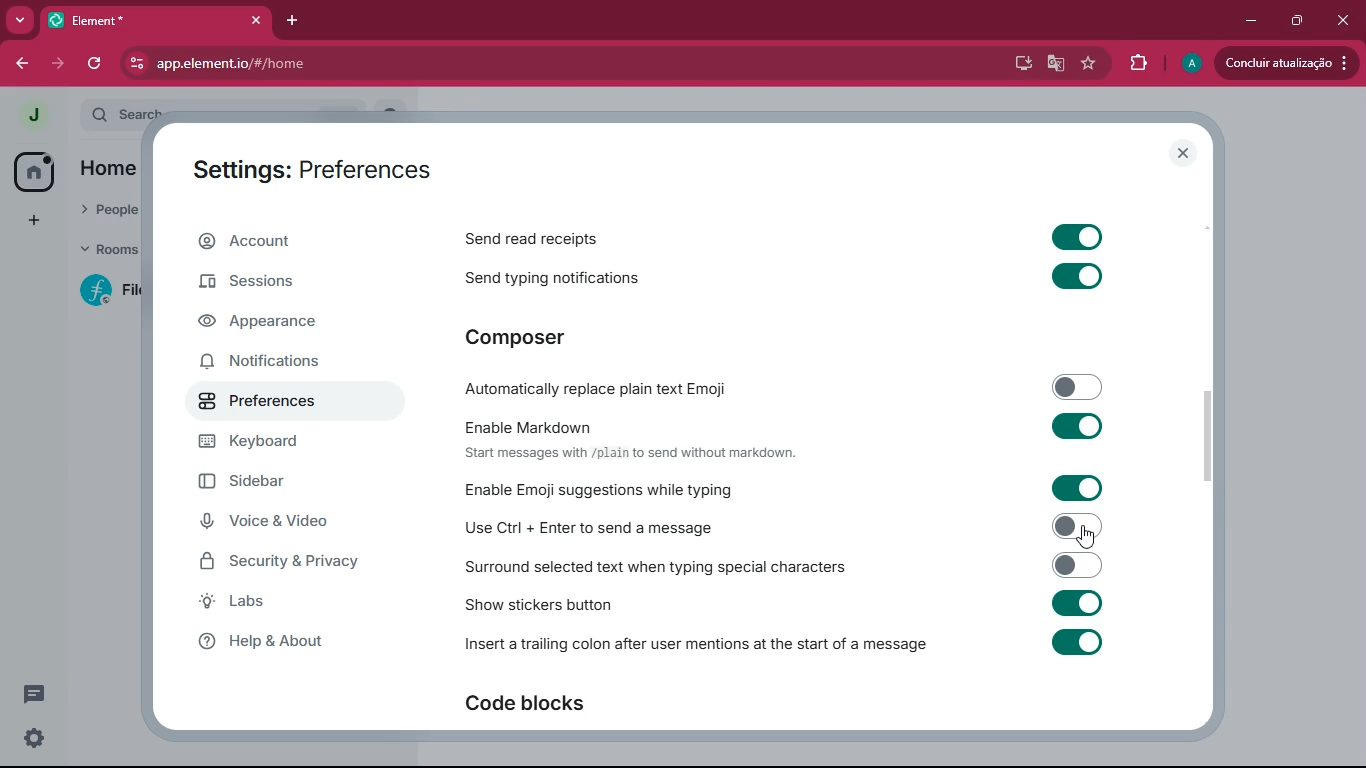 The width and height of the screenshot is (1366, 768). What do you see at coordinates (292, 482) in the screenshot?
I see `sidebar` at bounding box center [292, 482].